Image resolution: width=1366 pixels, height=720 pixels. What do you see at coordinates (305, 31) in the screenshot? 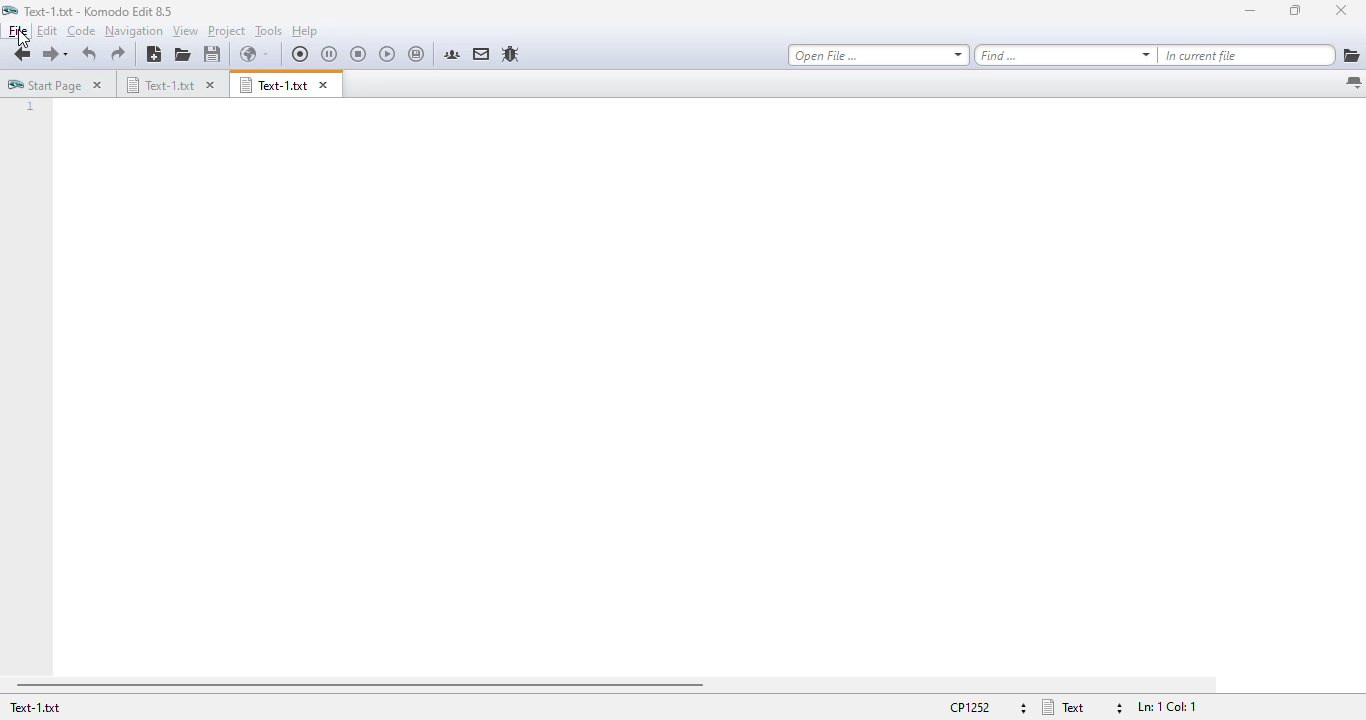
I see `help` at bounding box center [305, 31].